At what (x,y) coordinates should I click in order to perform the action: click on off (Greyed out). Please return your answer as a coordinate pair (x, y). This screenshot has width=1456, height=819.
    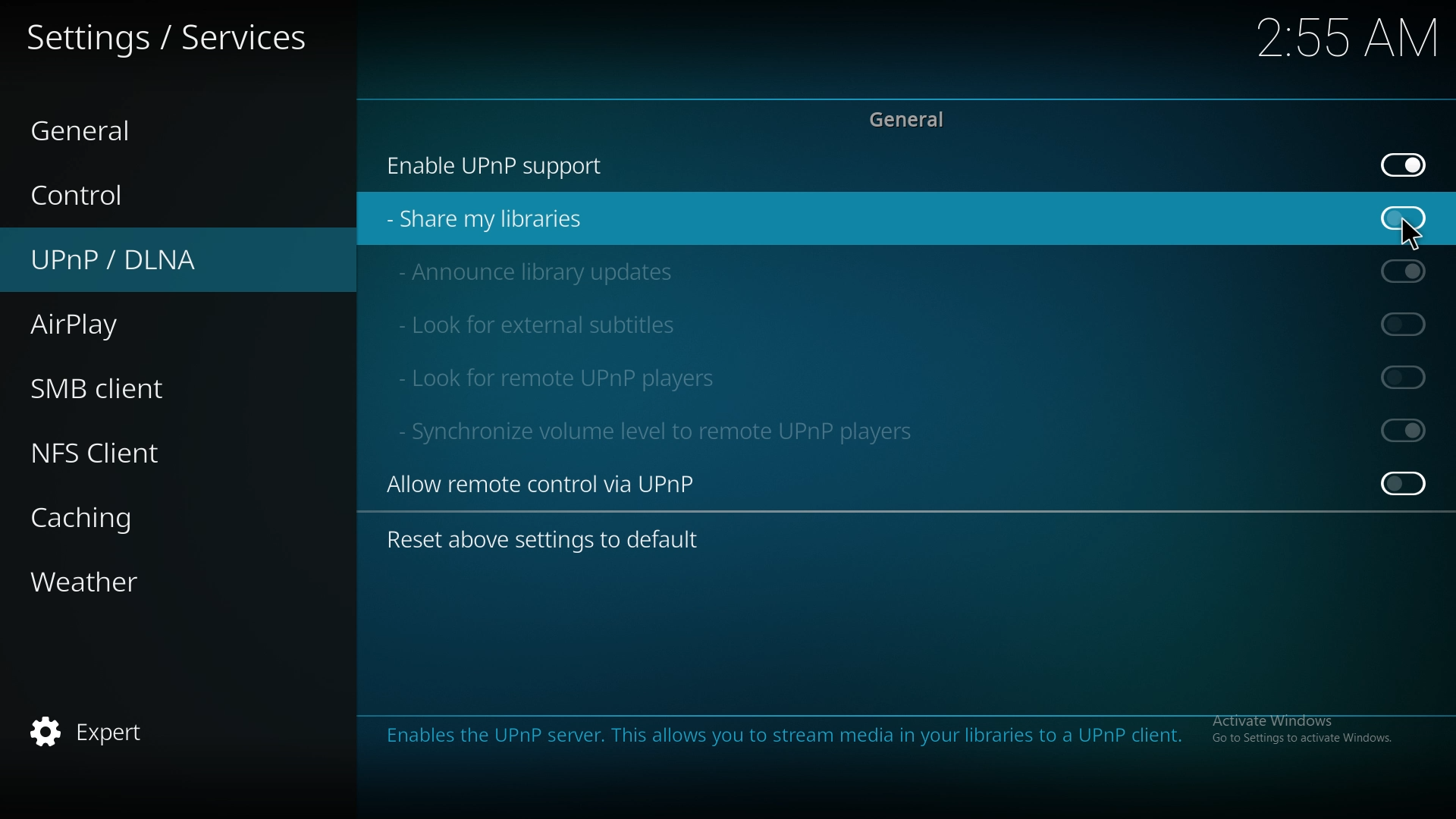
    Looking at the image, I should click on (1408, 377).